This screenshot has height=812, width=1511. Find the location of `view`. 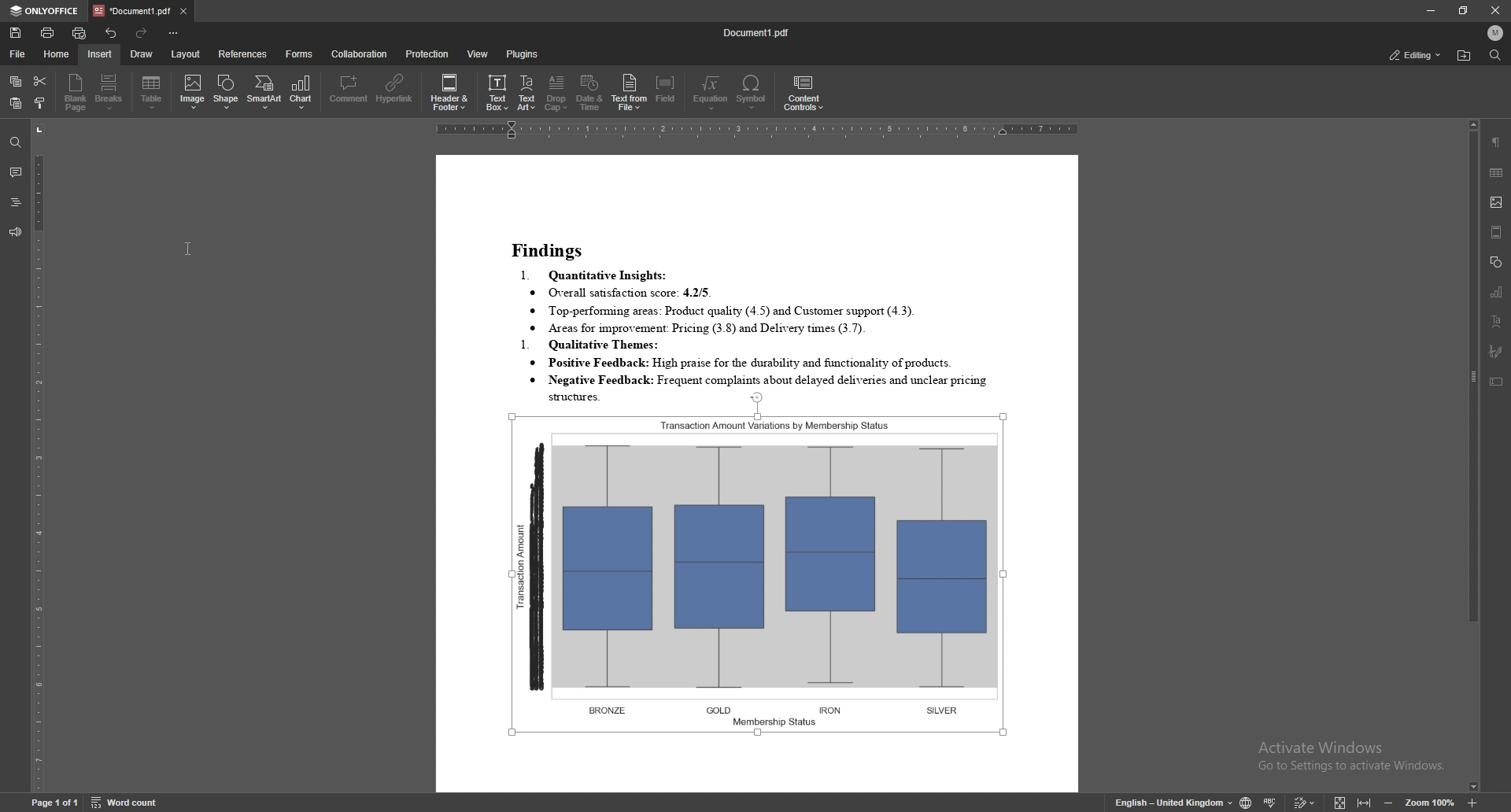

view is located at coordinates (478, 54).